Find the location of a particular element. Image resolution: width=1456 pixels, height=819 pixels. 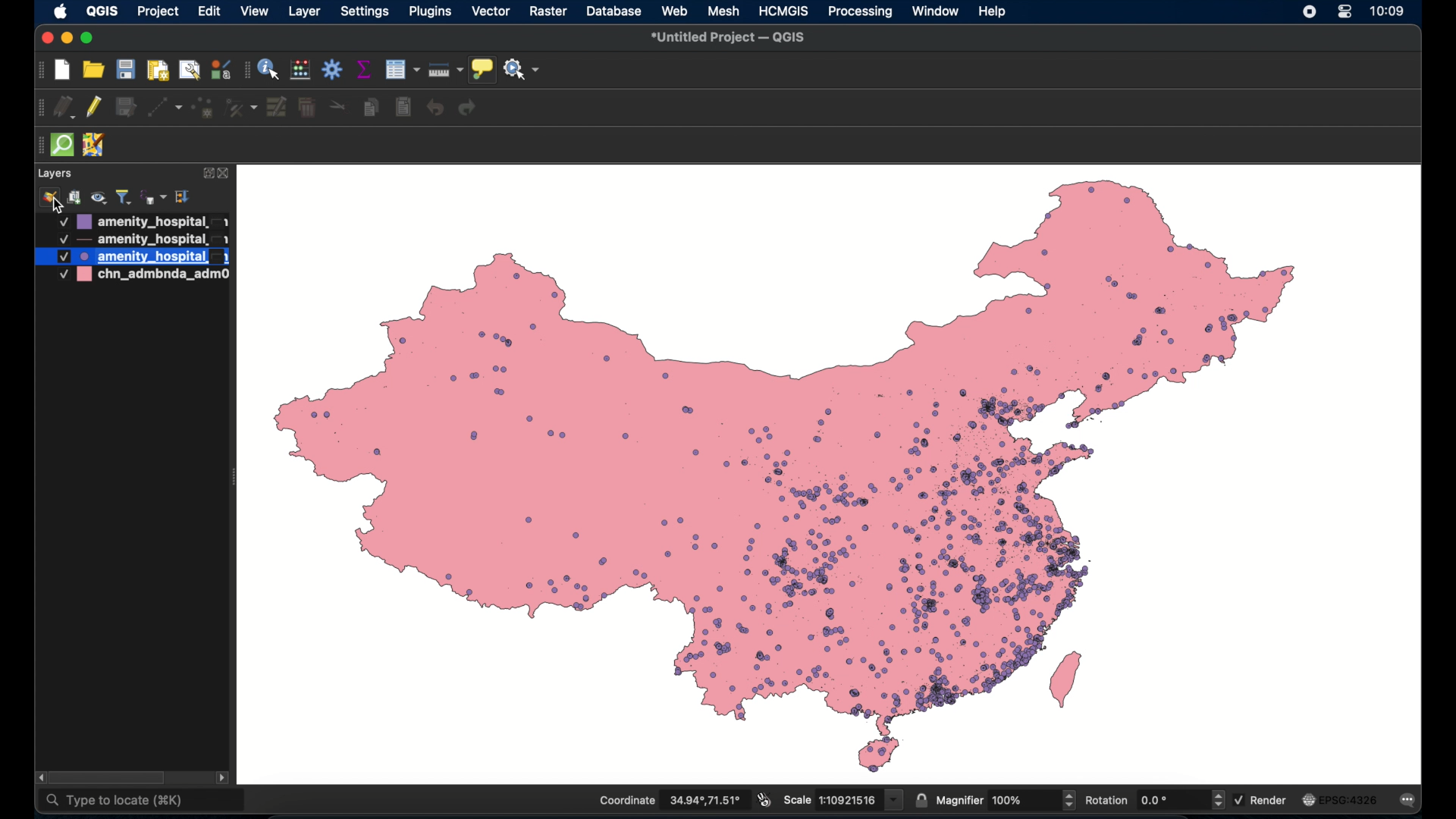

apple icon is located at coordinates (61, 13).